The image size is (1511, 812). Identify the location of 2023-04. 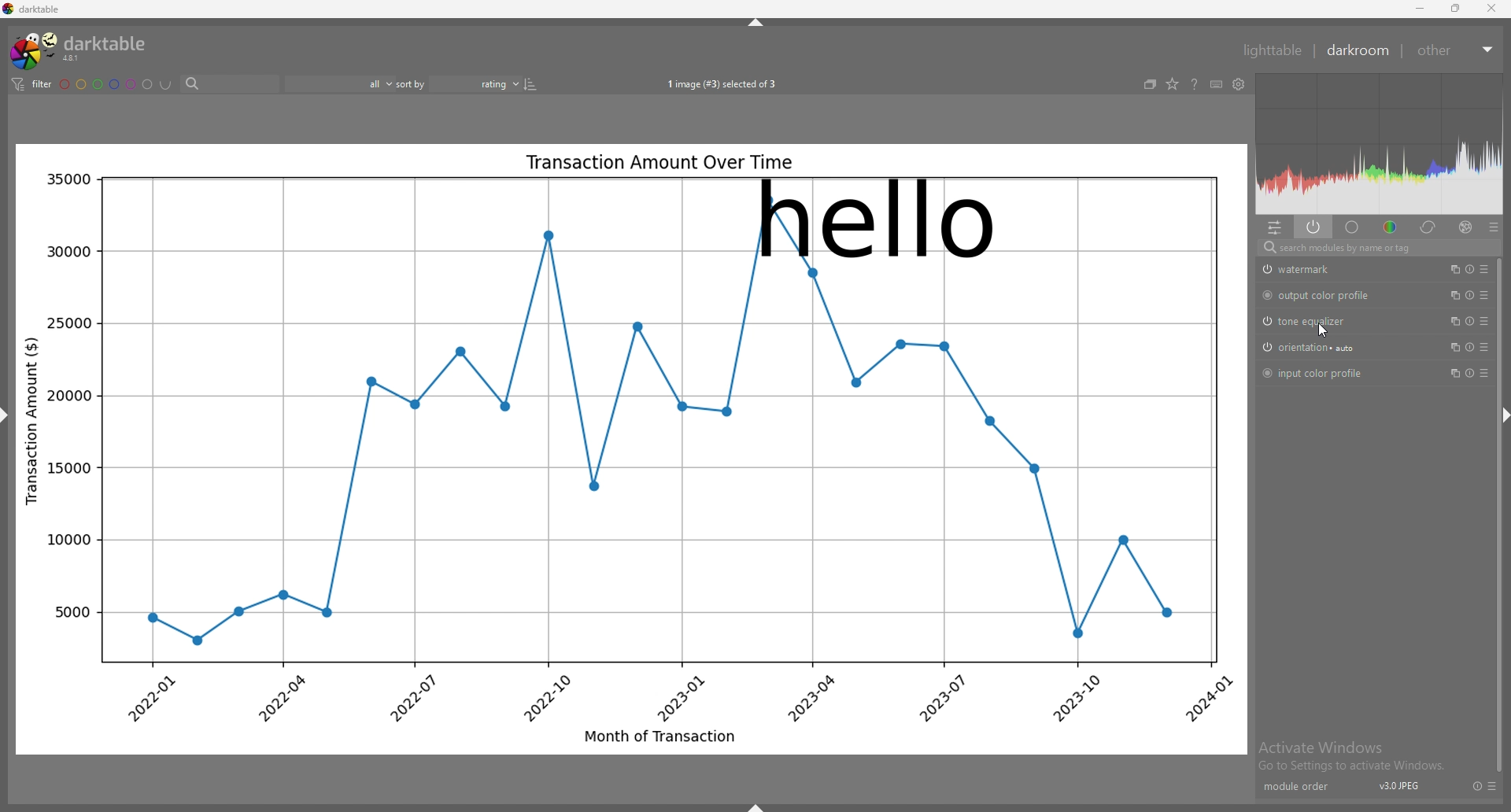
(811, 697).